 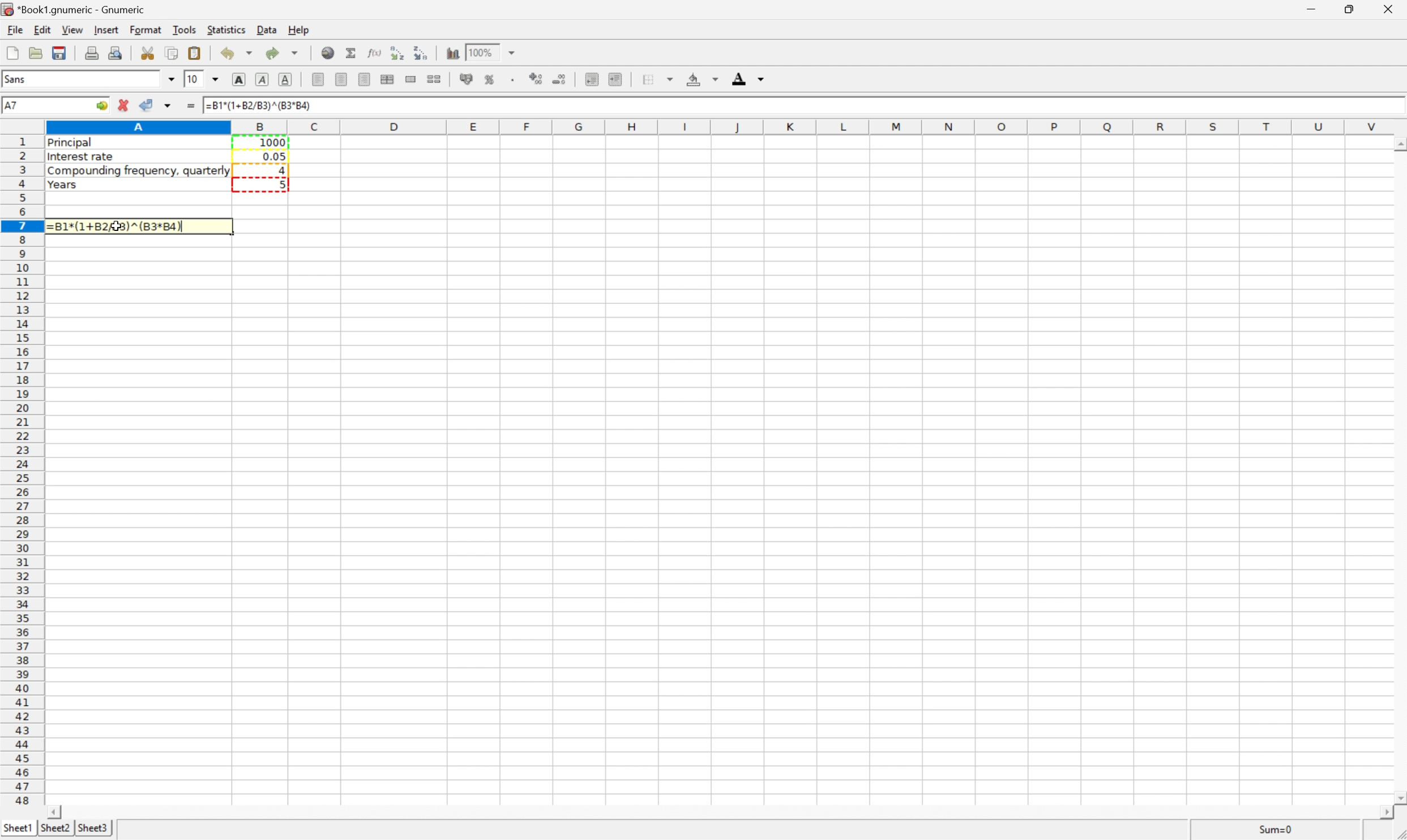 I want to click on print, so click(x=92, y=53).